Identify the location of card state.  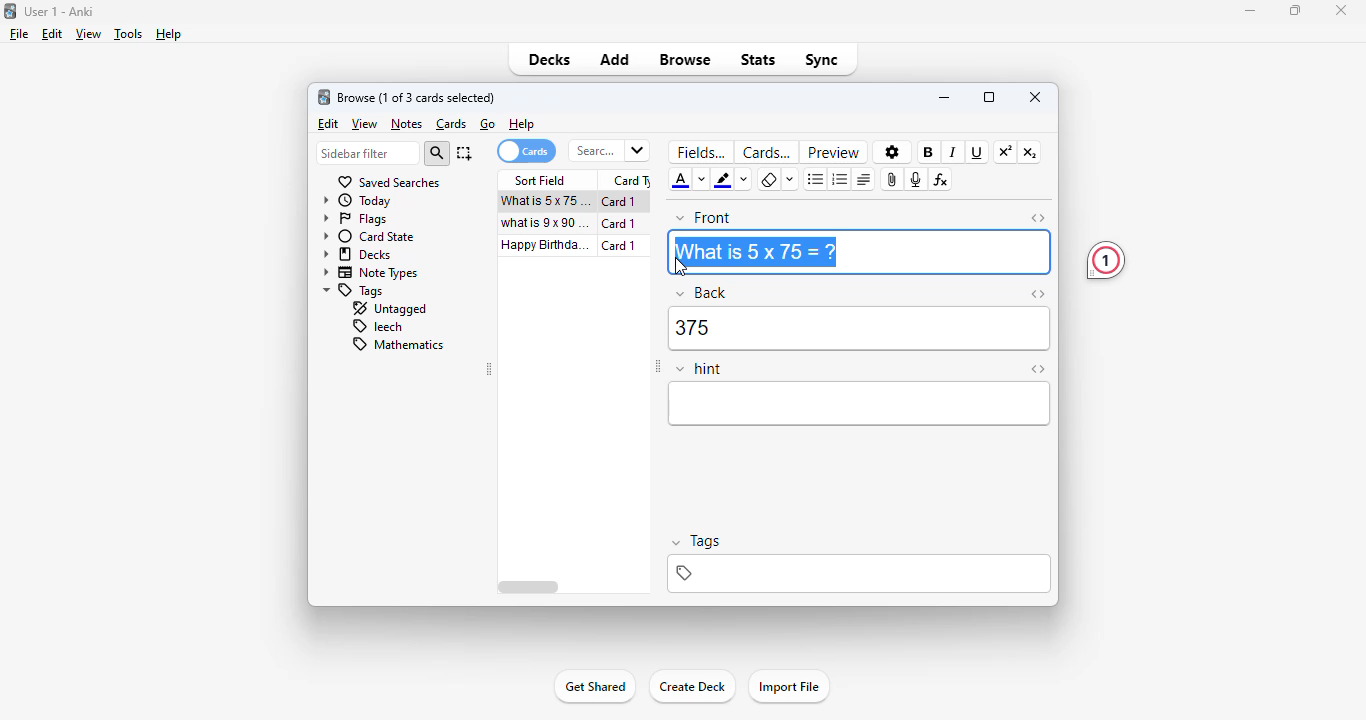
(369, 236).